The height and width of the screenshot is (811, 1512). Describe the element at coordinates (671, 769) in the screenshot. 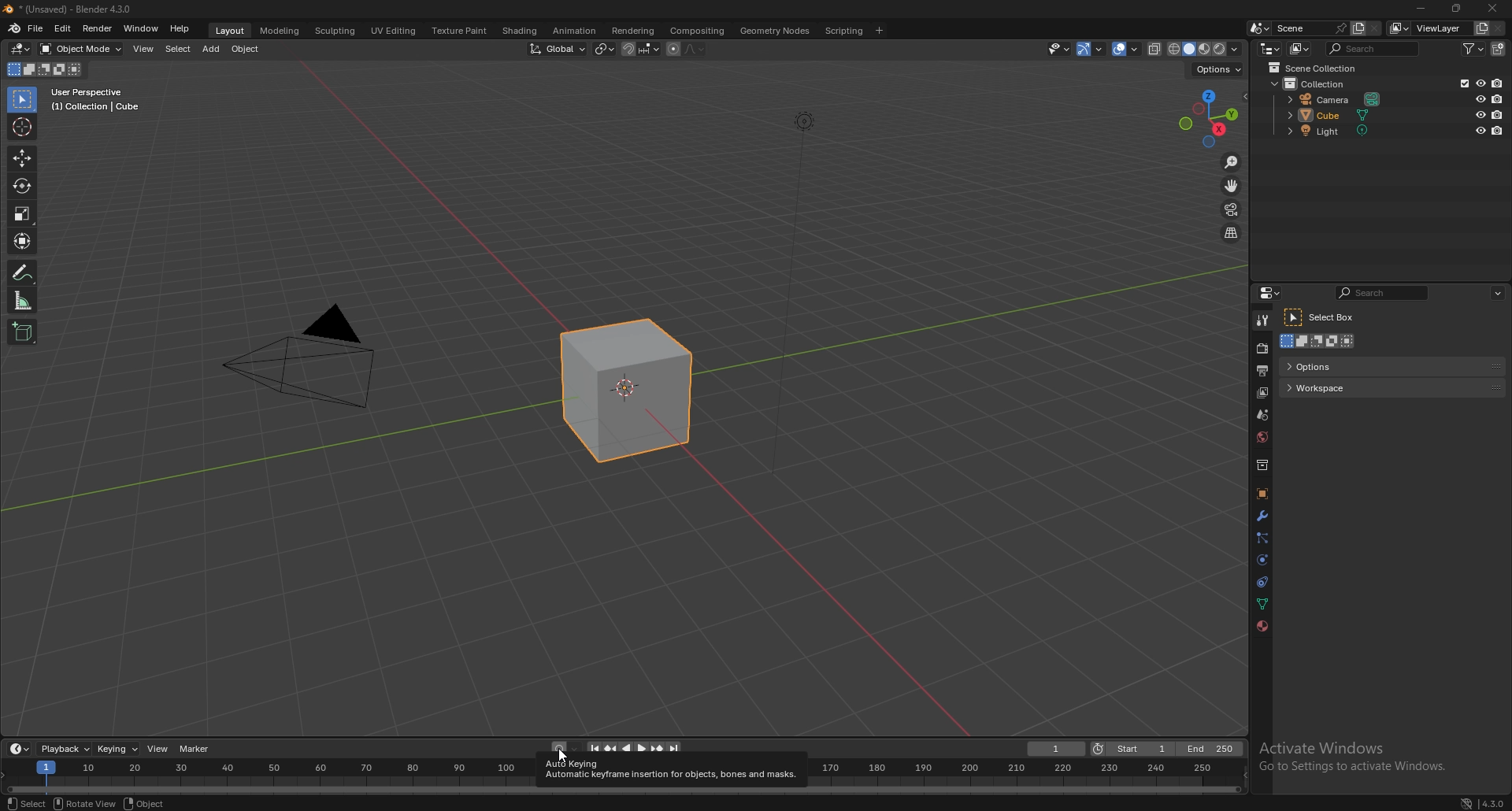

I see `mt ee
Automatic keyframe insertion for objects, bones and masks.` at that location.